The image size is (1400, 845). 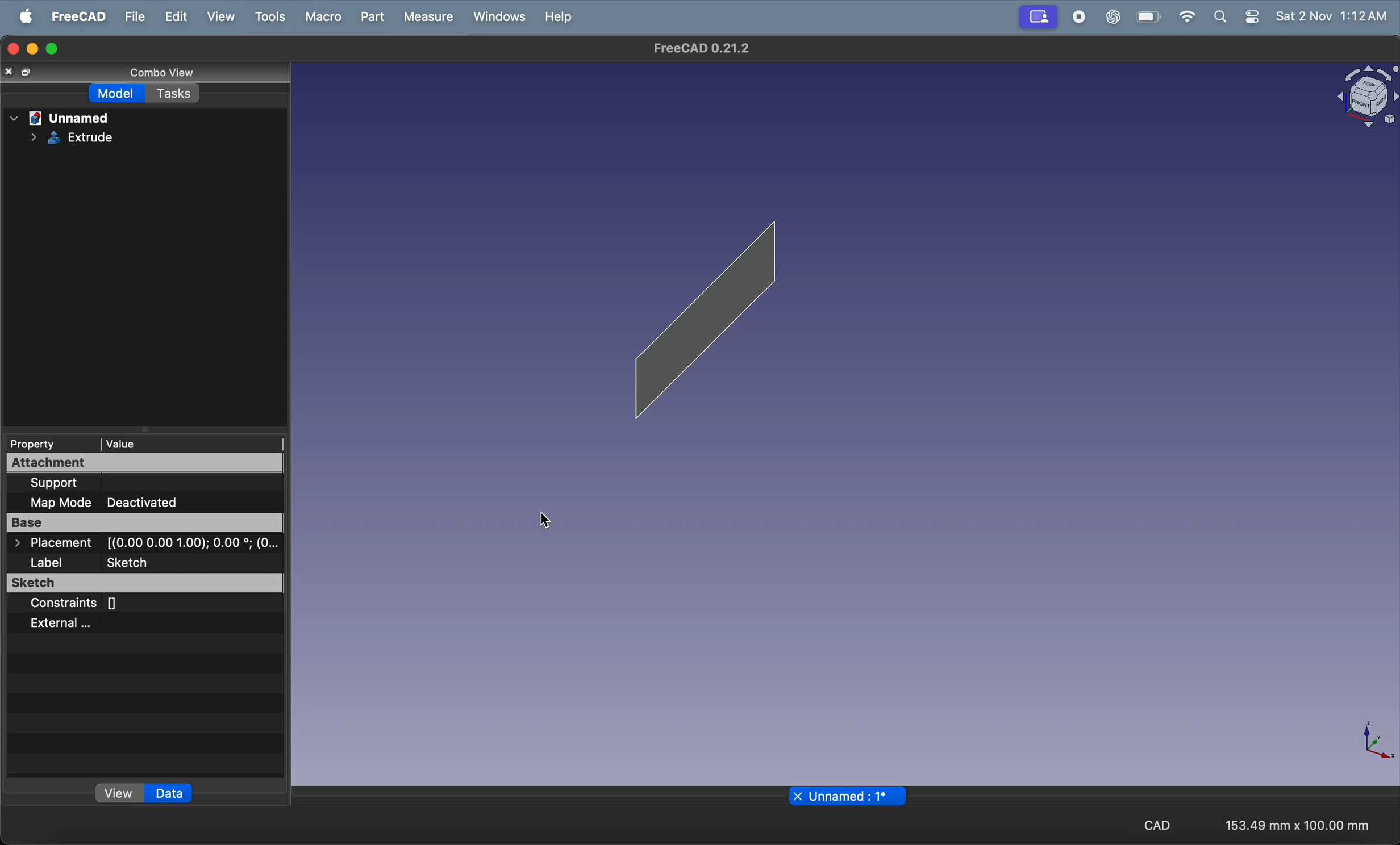 What do you see at coordinates (22, 16) in the screenshot?
I see `Apple menu` at bounding box center [22, 16].